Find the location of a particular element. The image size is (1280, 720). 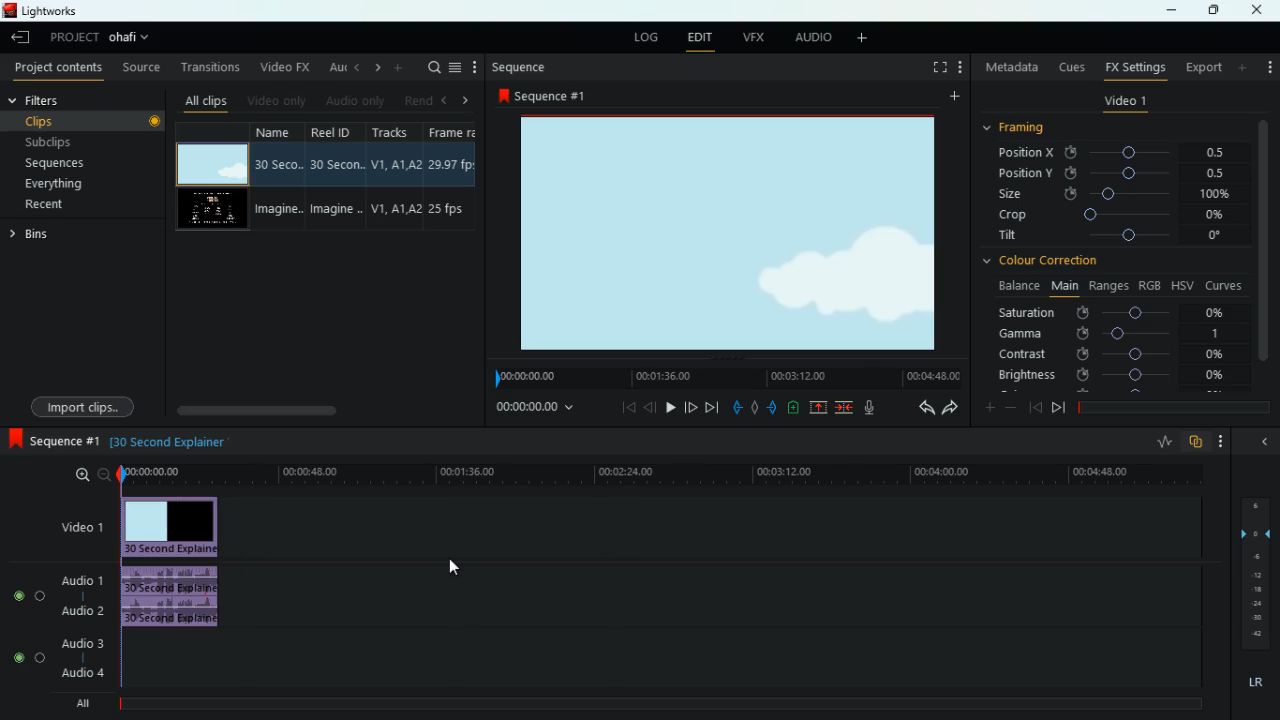

export is located at coordinates (1202, 67).